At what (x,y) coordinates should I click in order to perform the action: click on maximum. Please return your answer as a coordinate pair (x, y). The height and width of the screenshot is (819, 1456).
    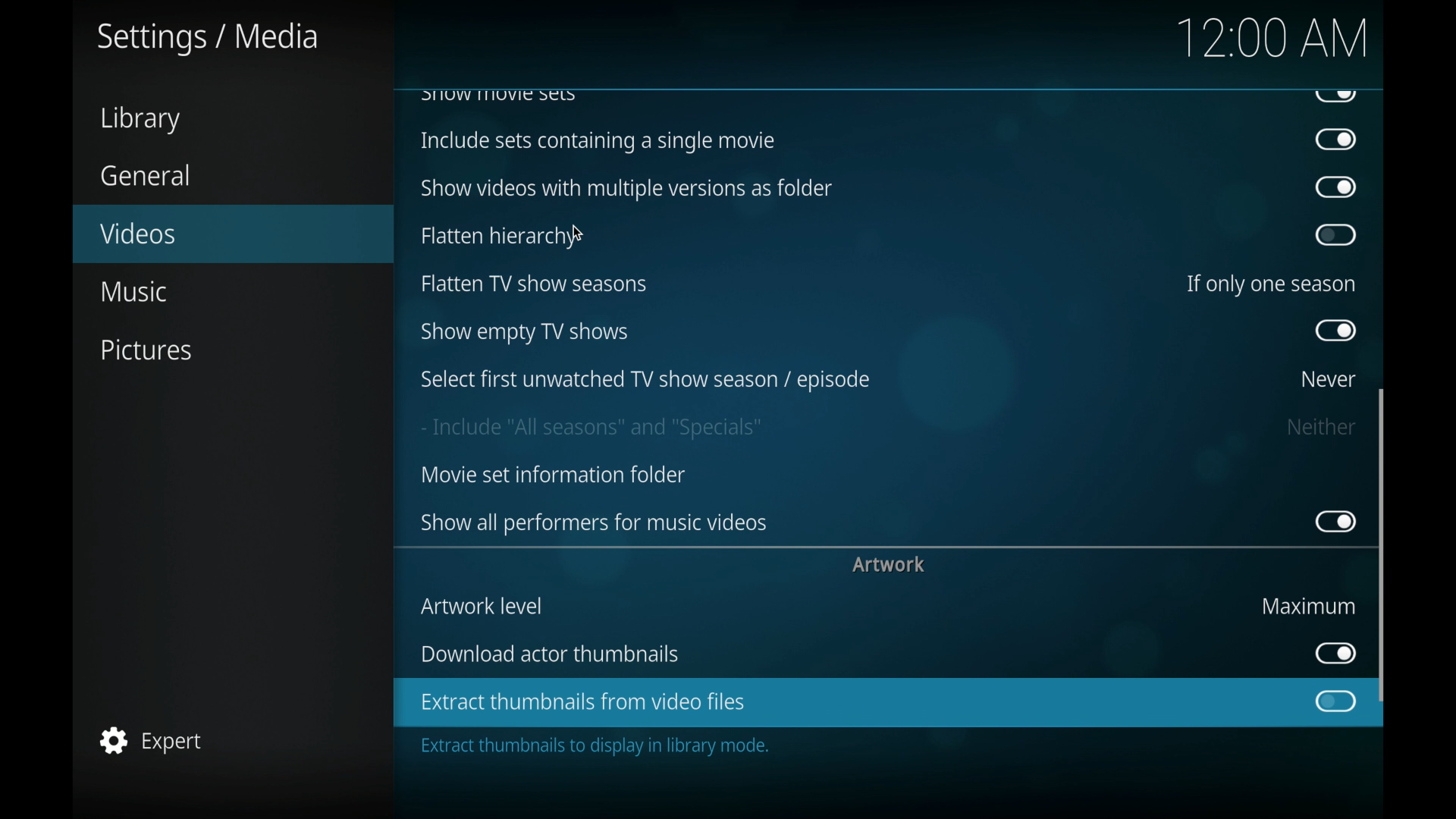
    Looking at the image, I should click on (1309, 605).